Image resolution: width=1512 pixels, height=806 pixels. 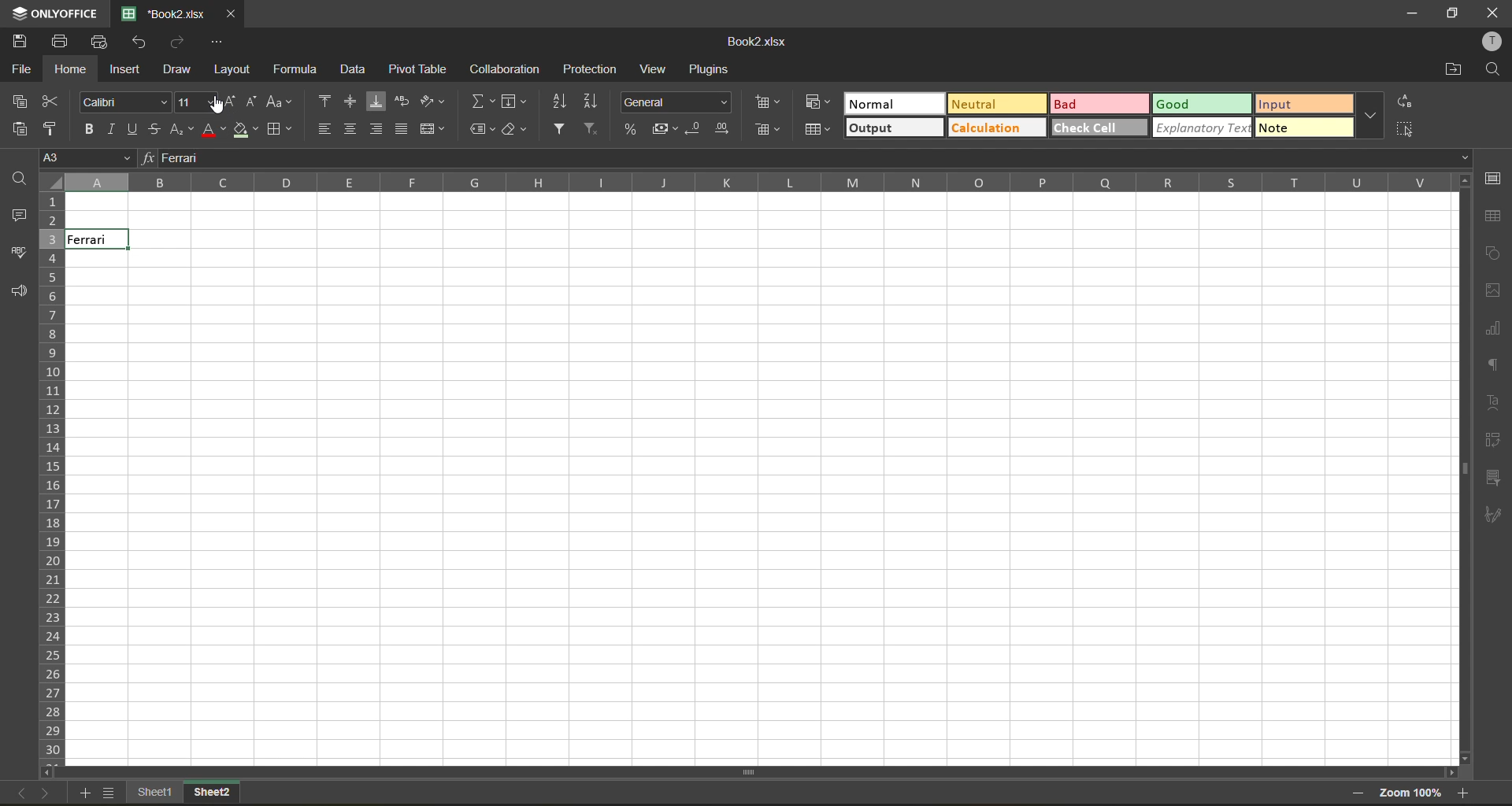 What do you see at coordinates (179, 128) in the screenshot?
I see `sub/superscript` at bounding box center [179, 128].